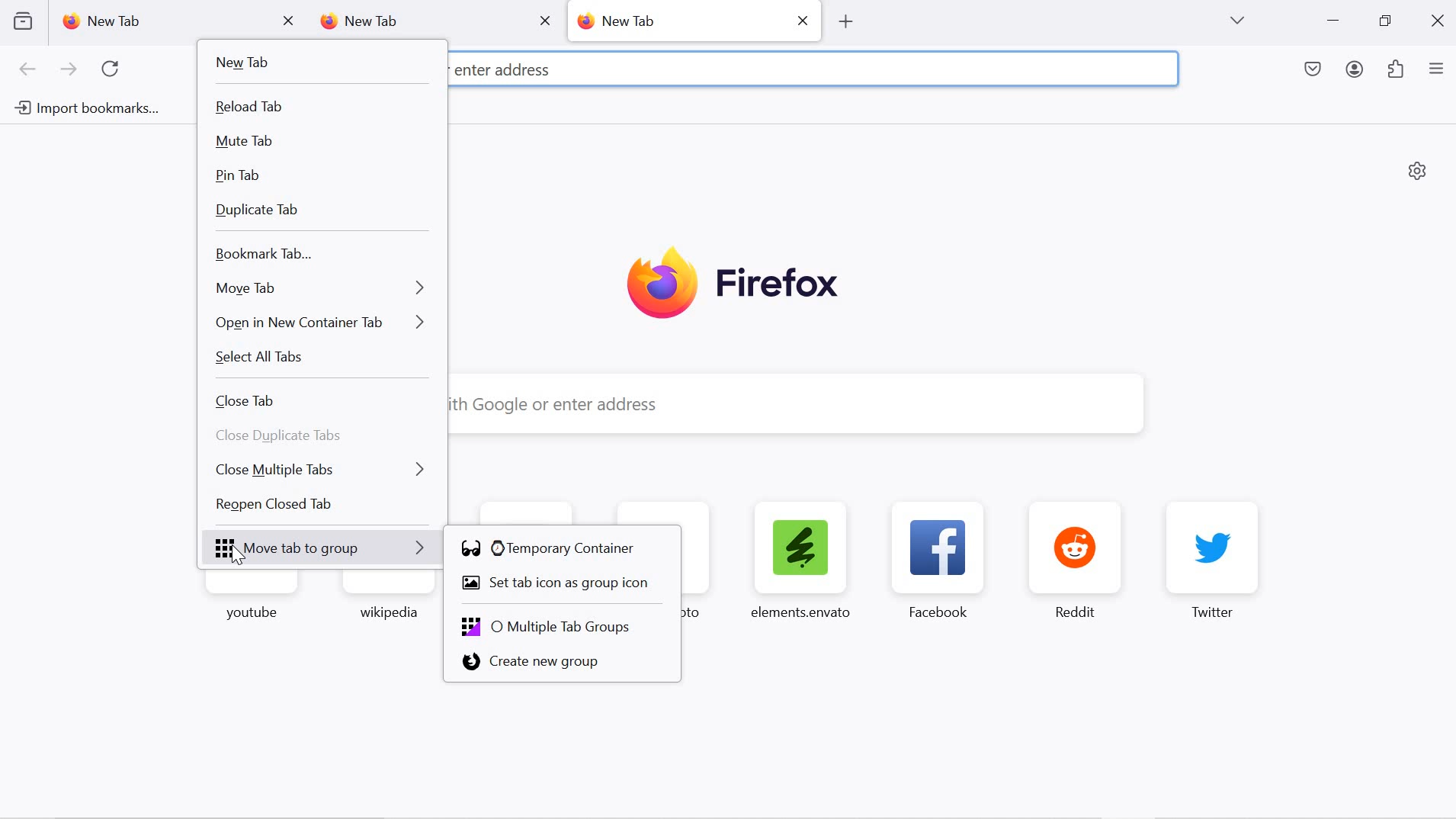  I want to click on new tab, so click(316, 63).